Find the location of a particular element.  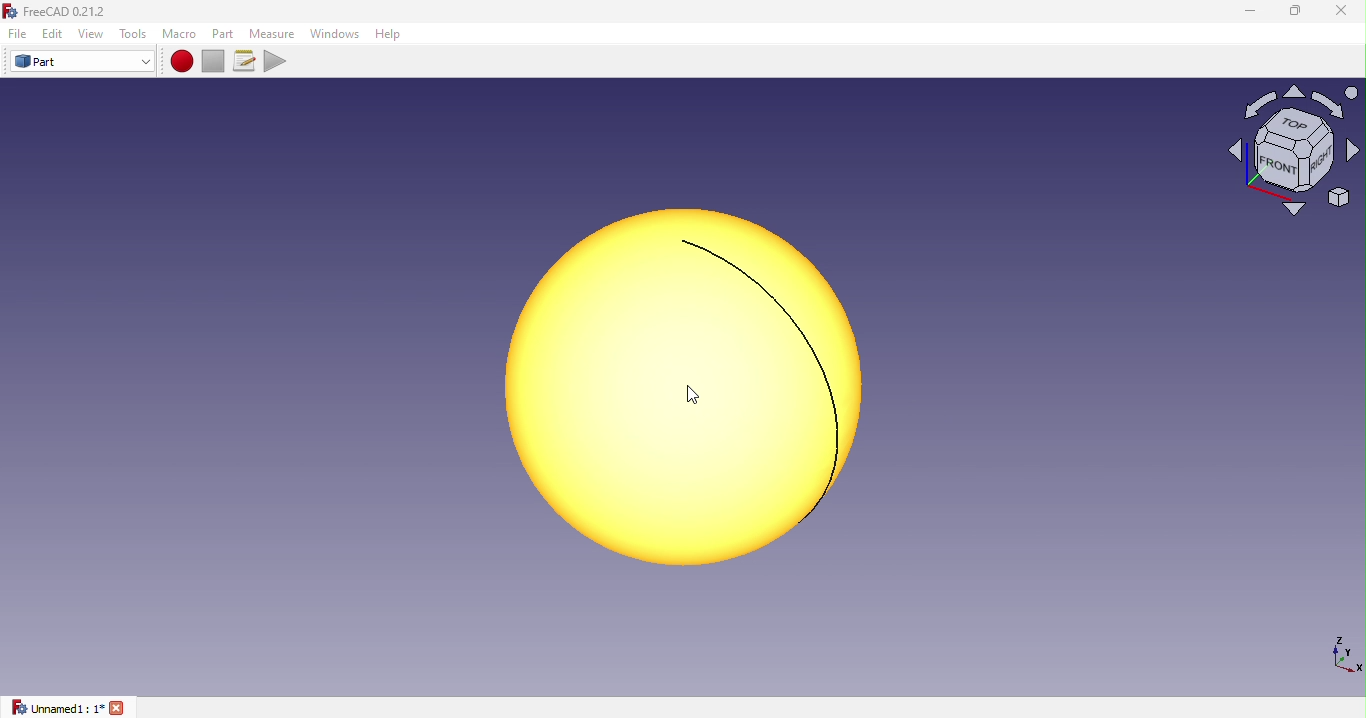

Stop Macro recording is located at coordinates (217, 60).